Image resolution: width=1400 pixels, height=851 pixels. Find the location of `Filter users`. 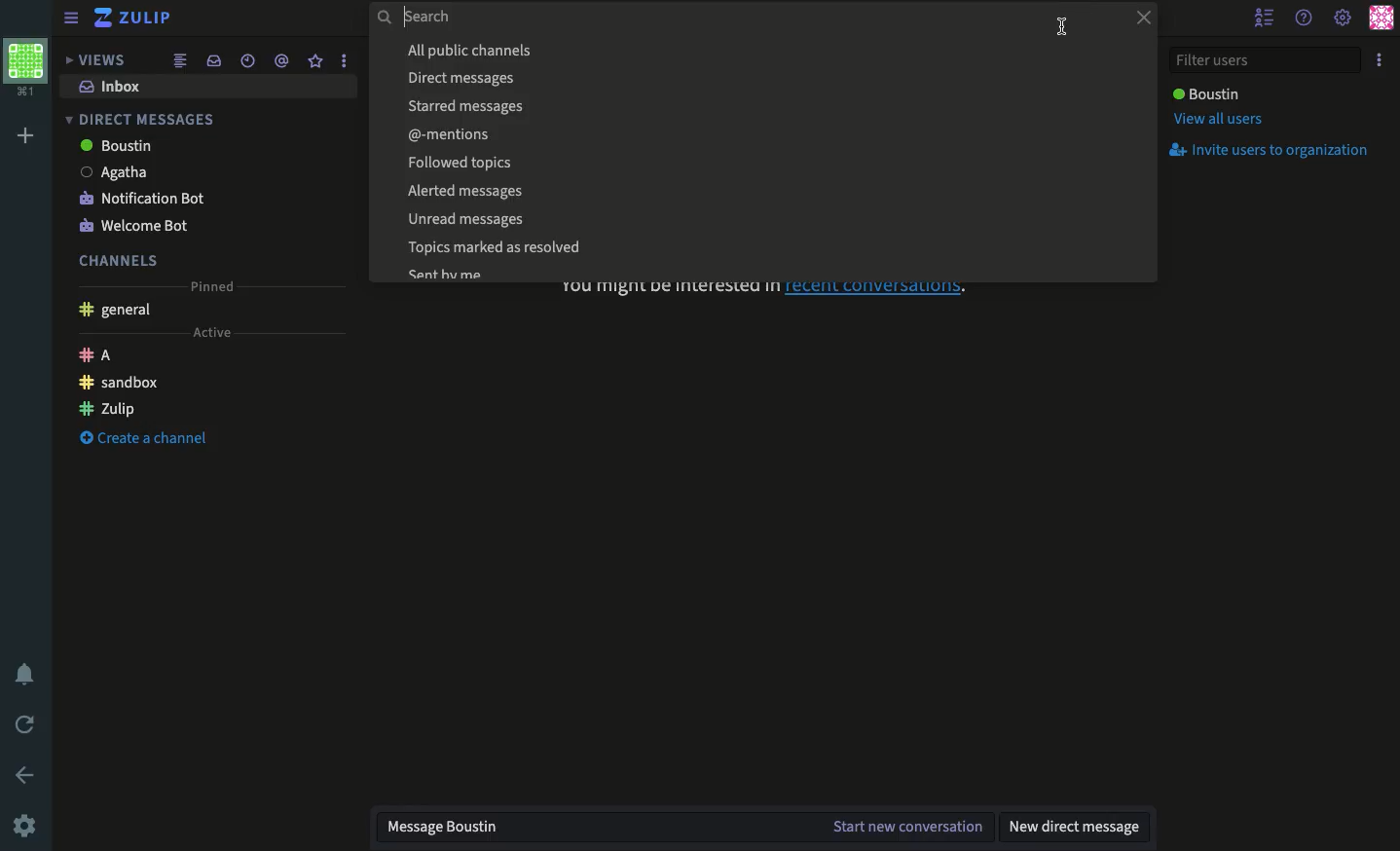

Filter users is located at coordinates (1268, 59).